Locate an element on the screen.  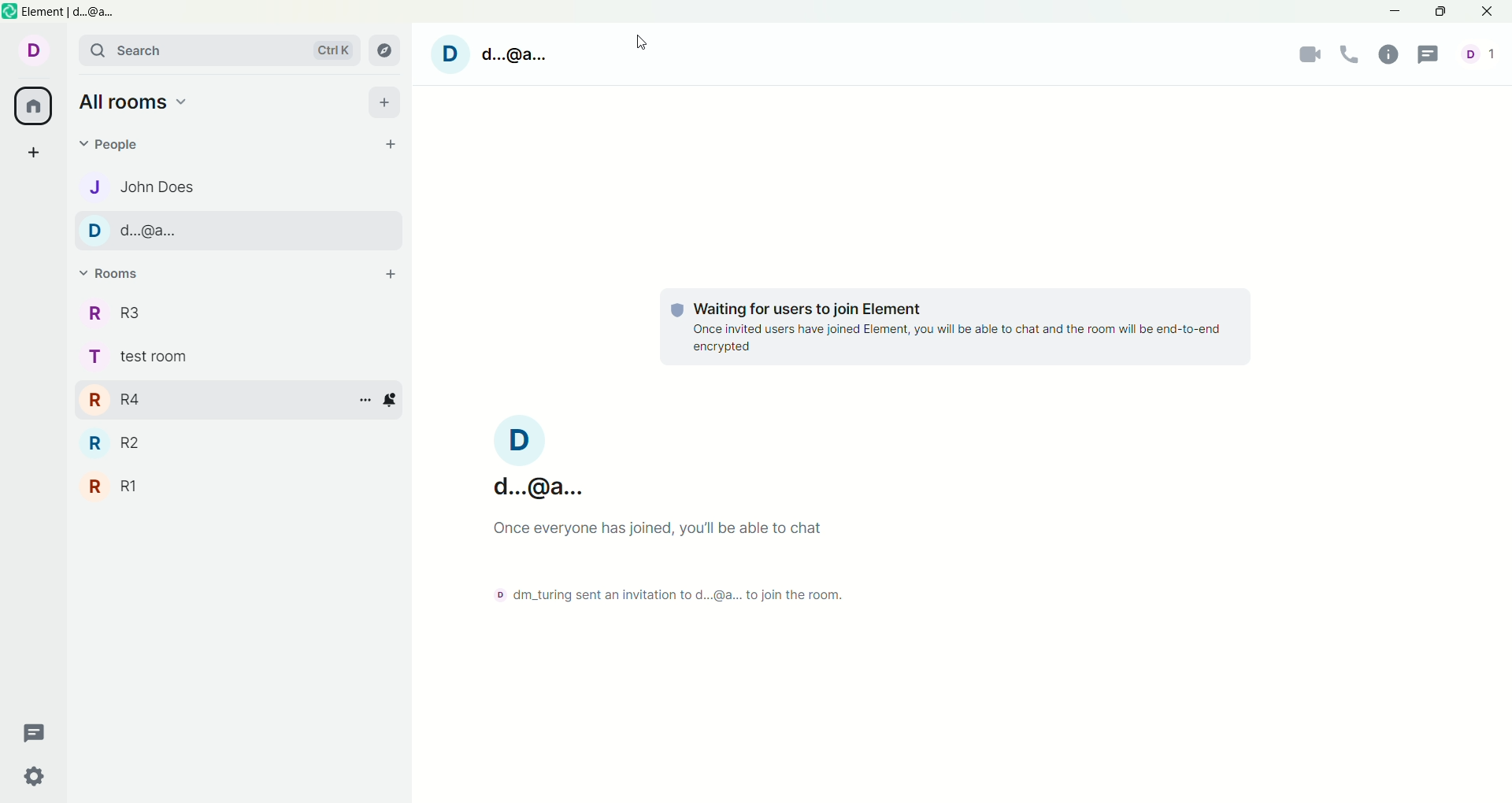
camera is located at coordinates (1307, 56).